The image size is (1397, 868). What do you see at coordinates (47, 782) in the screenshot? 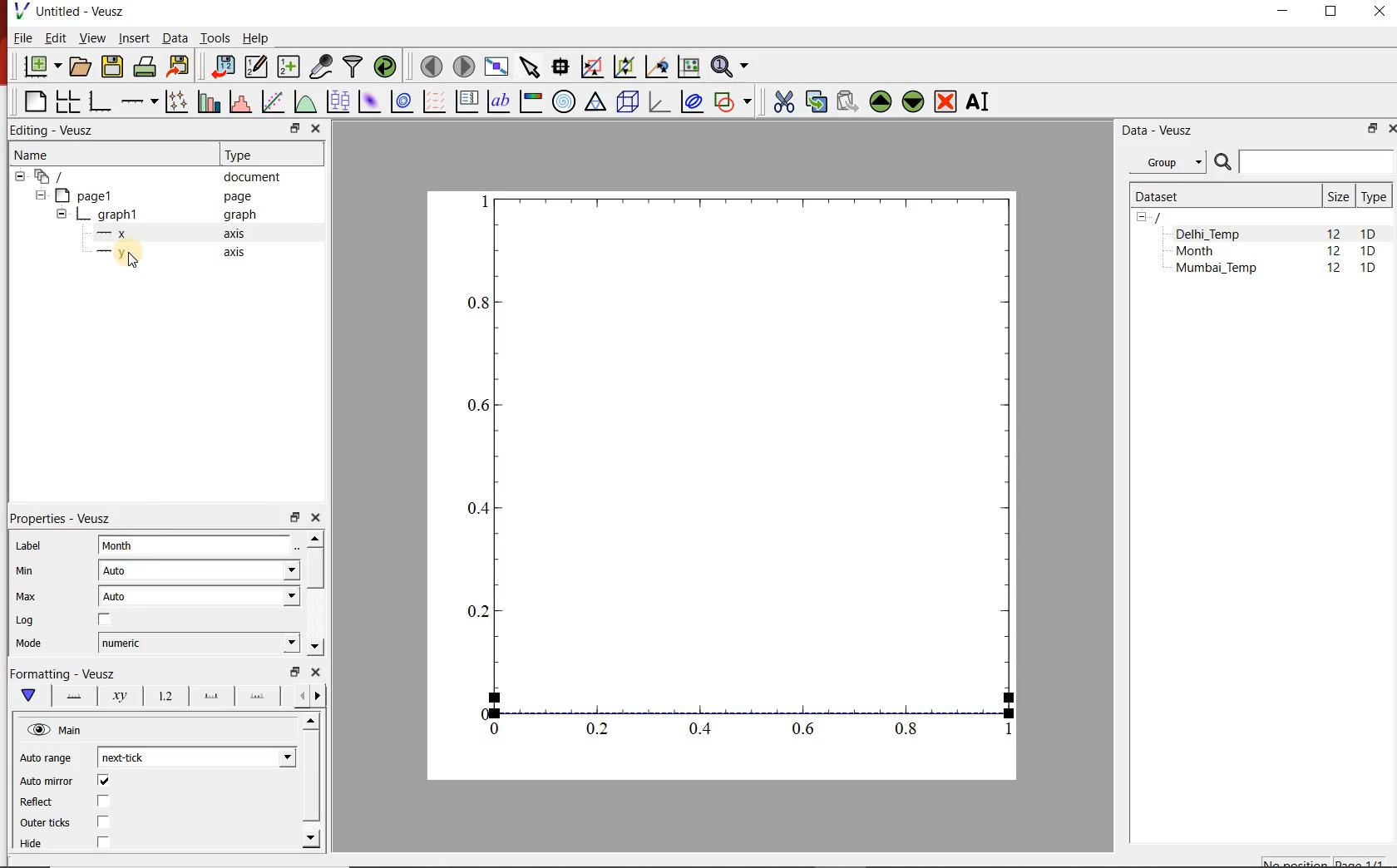
I see `Auto mirror` at bounding box center [47, 782].